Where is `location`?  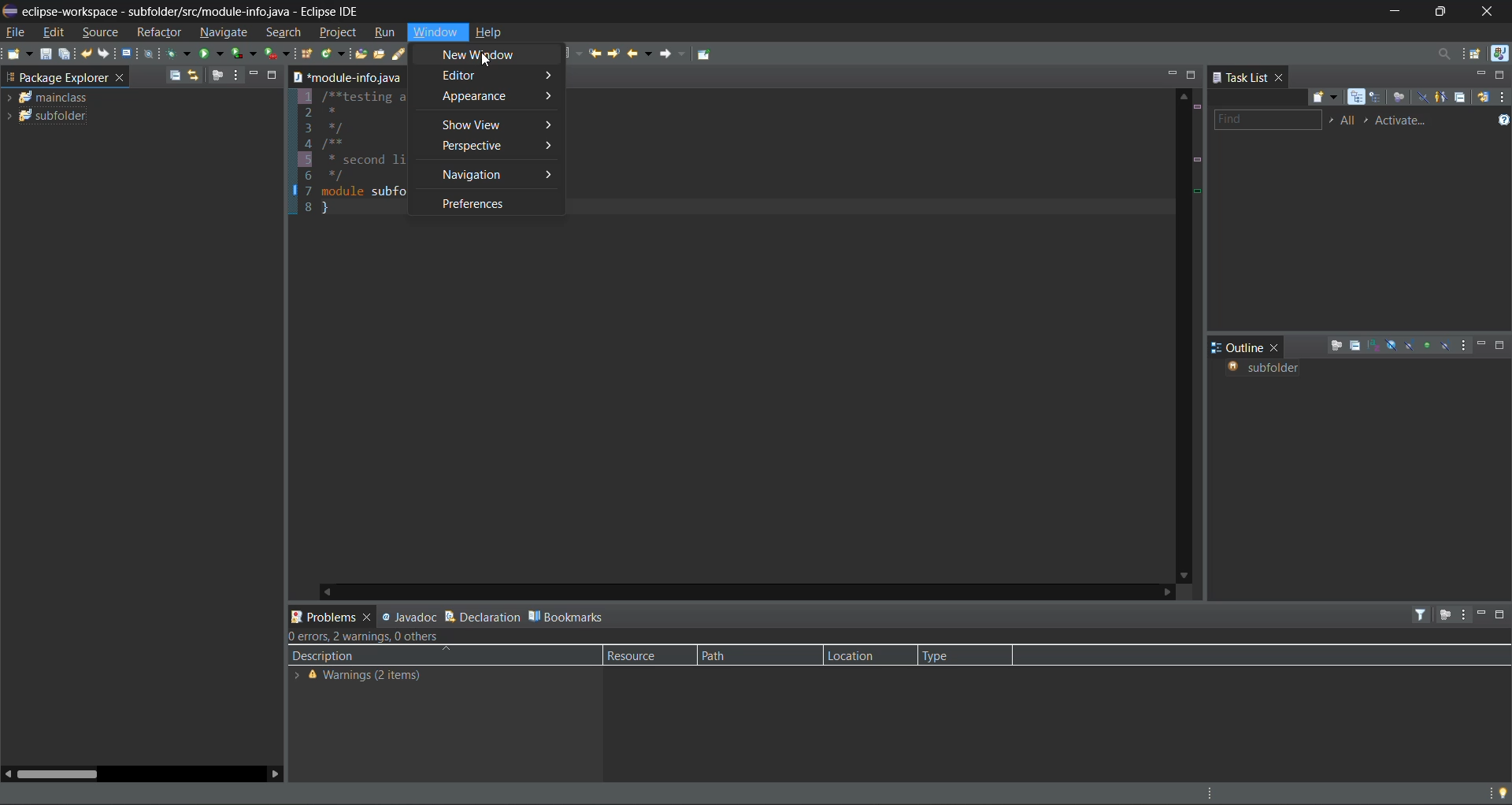 location is located at coordinates (856, 652).